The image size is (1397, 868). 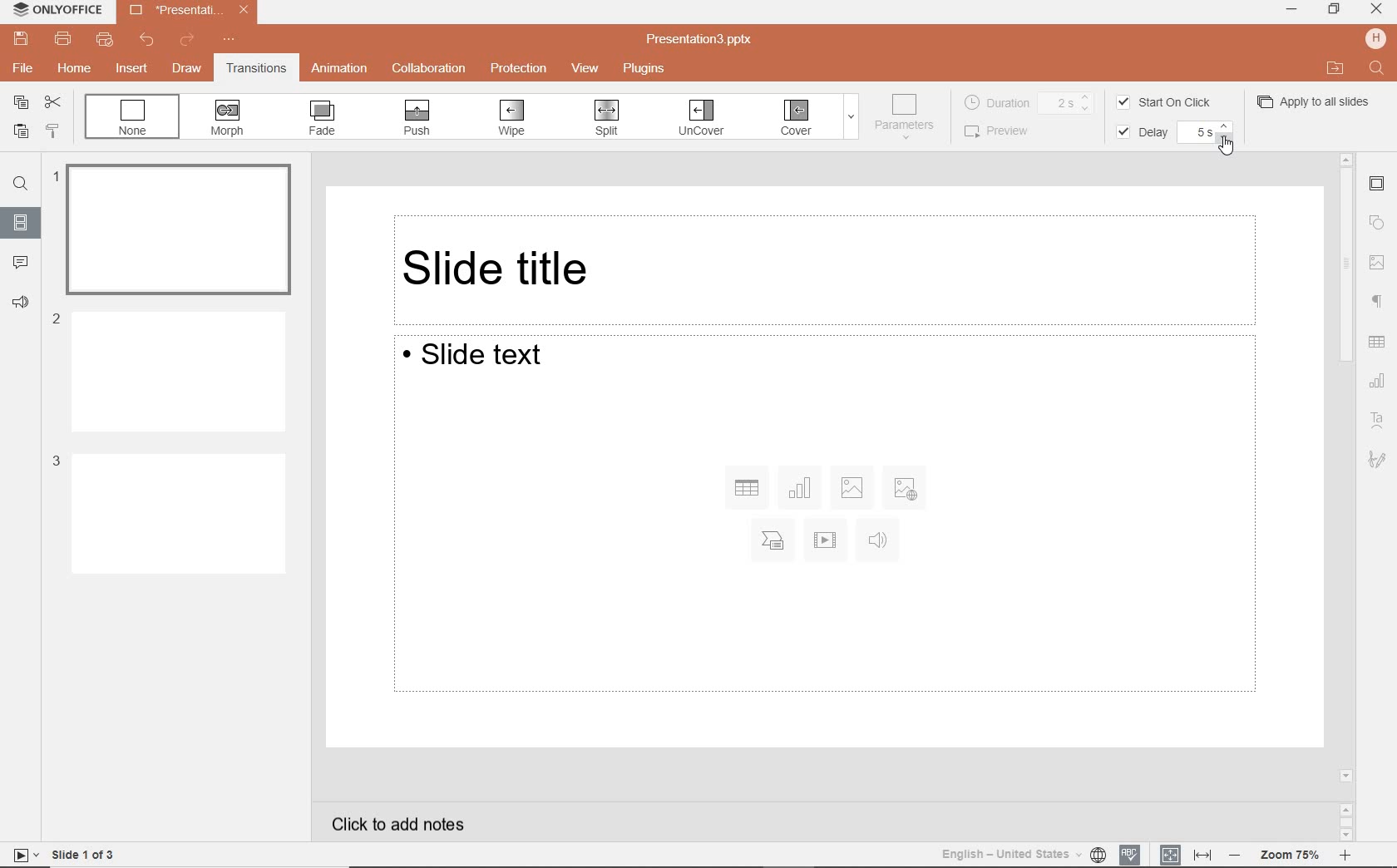 What do you see at coordinates (53, 9) in the screenshot?
I see `ONLYOFFICE` at bounding box center [53, 9].